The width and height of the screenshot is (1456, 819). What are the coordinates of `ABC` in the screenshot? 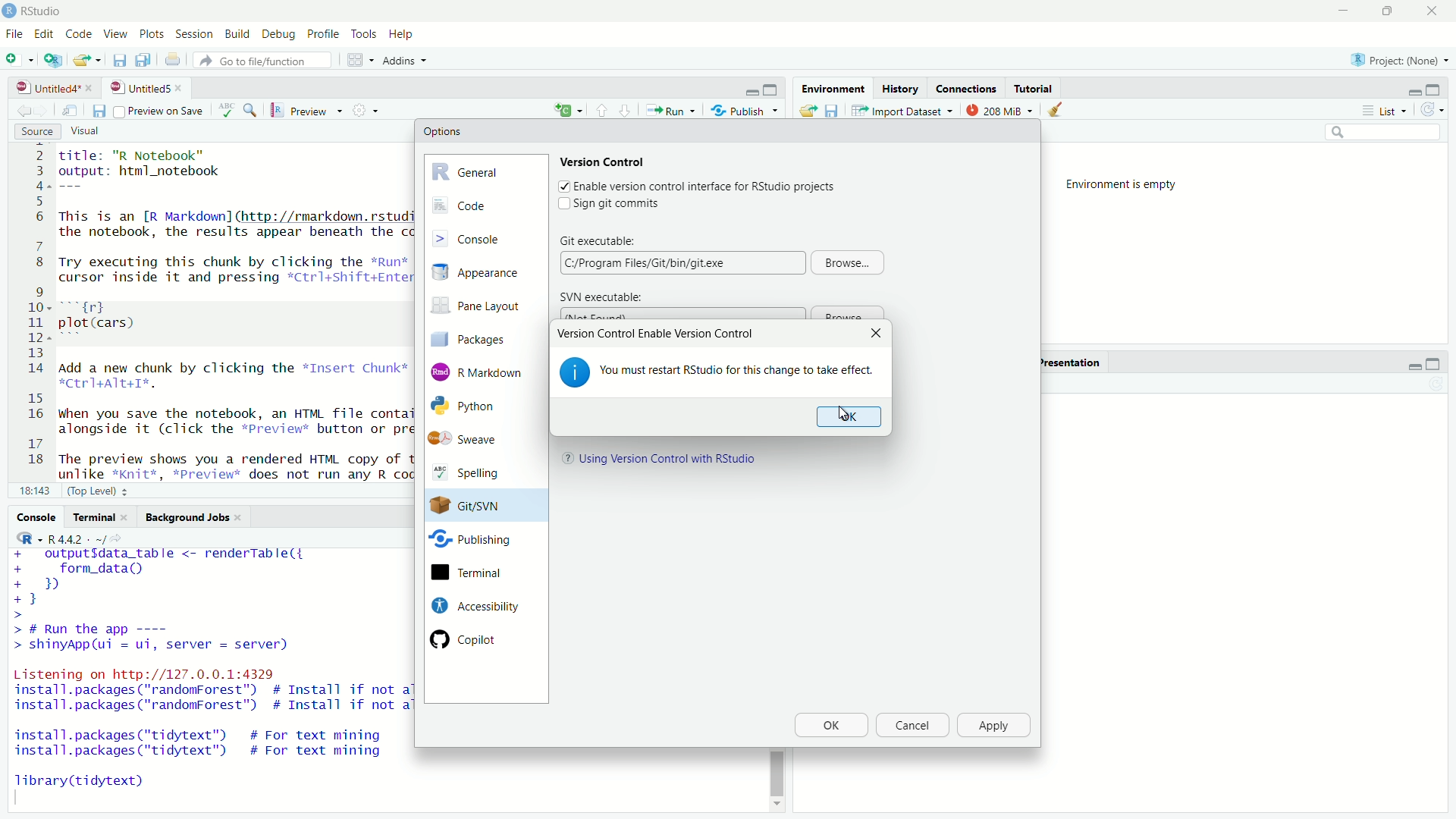 It's located at (237, 110).